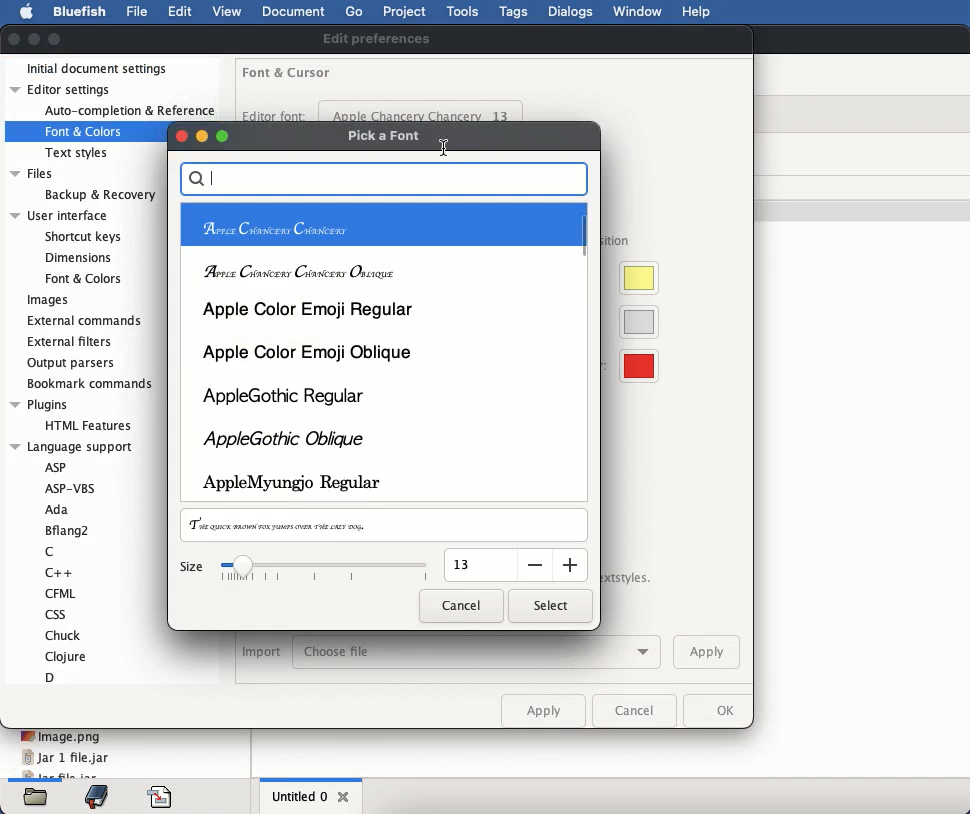 Image resolution: width=970 pixels, height=814 pixels. What do you see at coordinates (633, 279) in the screenshot?
I see `cursor highlight color` at bounding box center [633, 279].